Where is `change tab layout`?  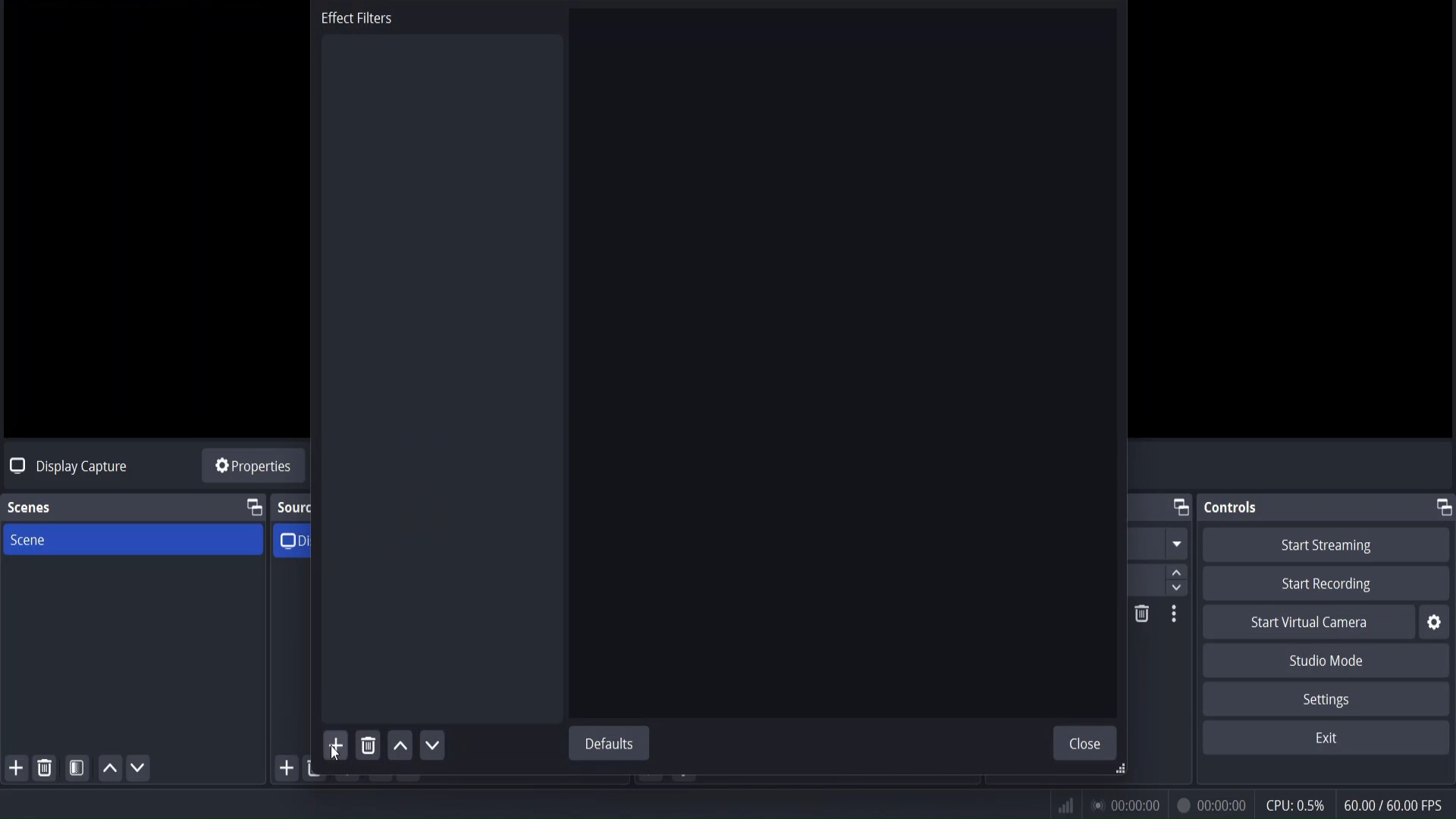
change tab layout is located at coordinates (1179, 508).